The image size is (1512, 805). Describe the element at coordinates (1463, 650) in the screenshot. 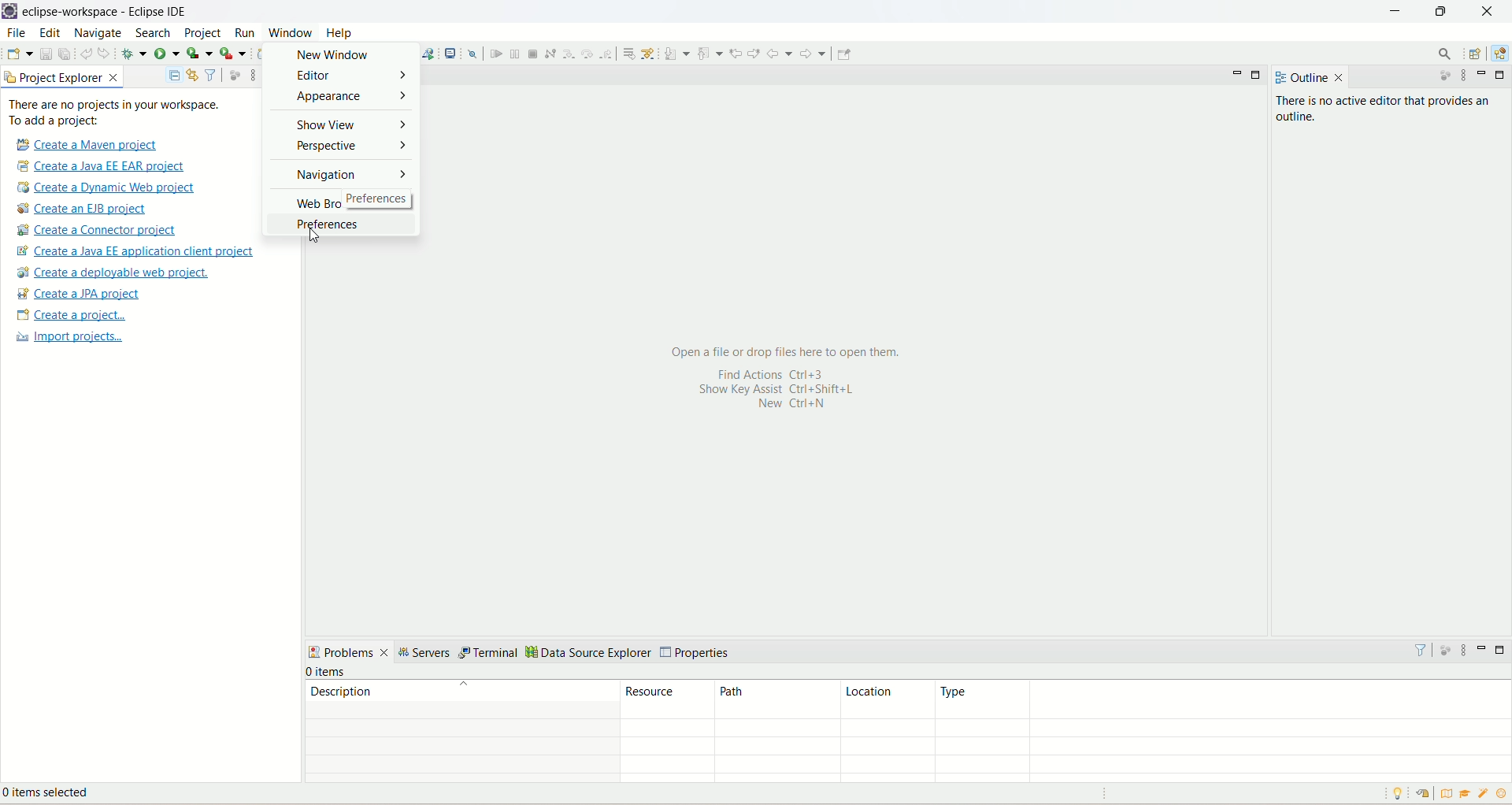

I see `view menu` at that location.